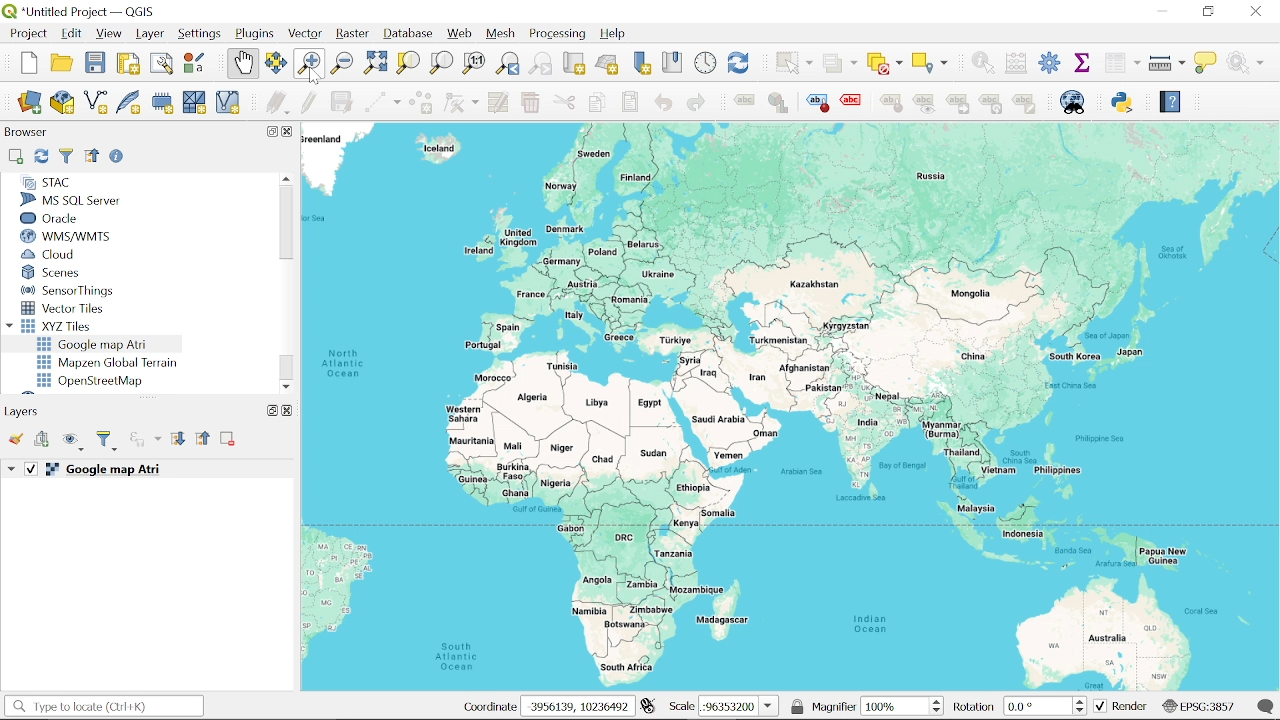  I want to click on Scenes, so click(69, 273).